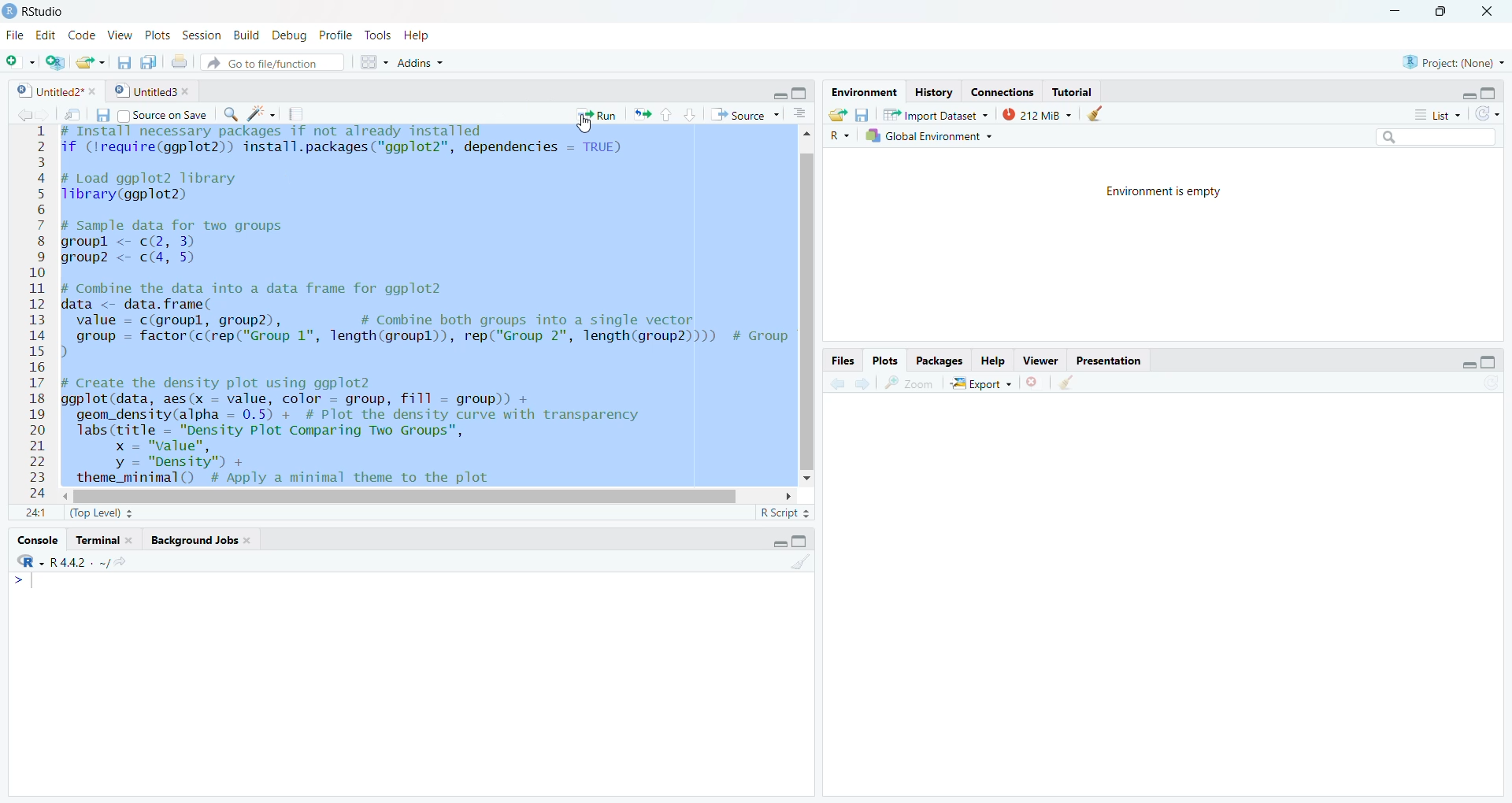  I want to click on view, so click(118, 35).